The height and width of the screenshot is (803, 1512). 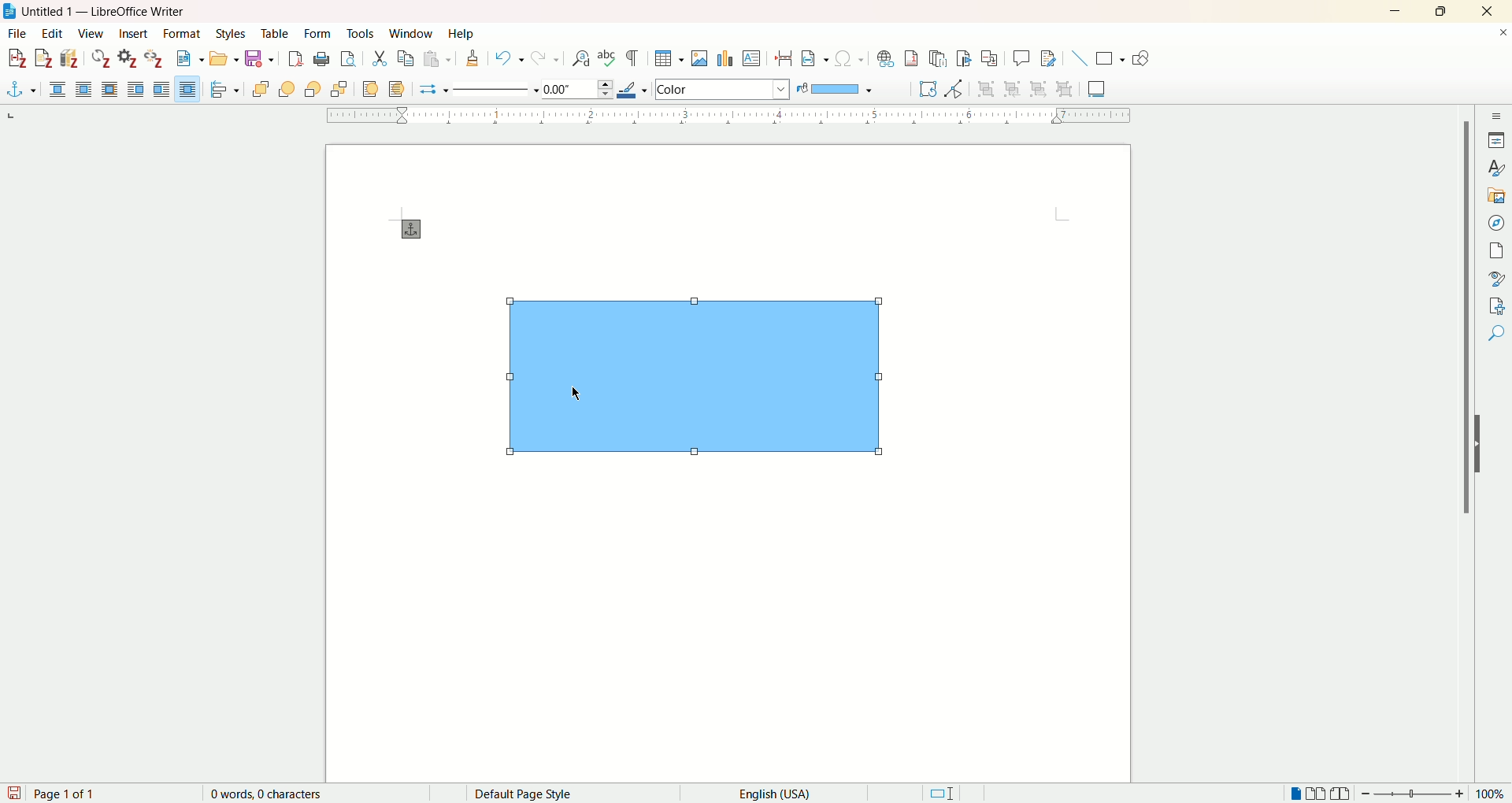 I want to click on English(USA), so click(x=781, y=793).